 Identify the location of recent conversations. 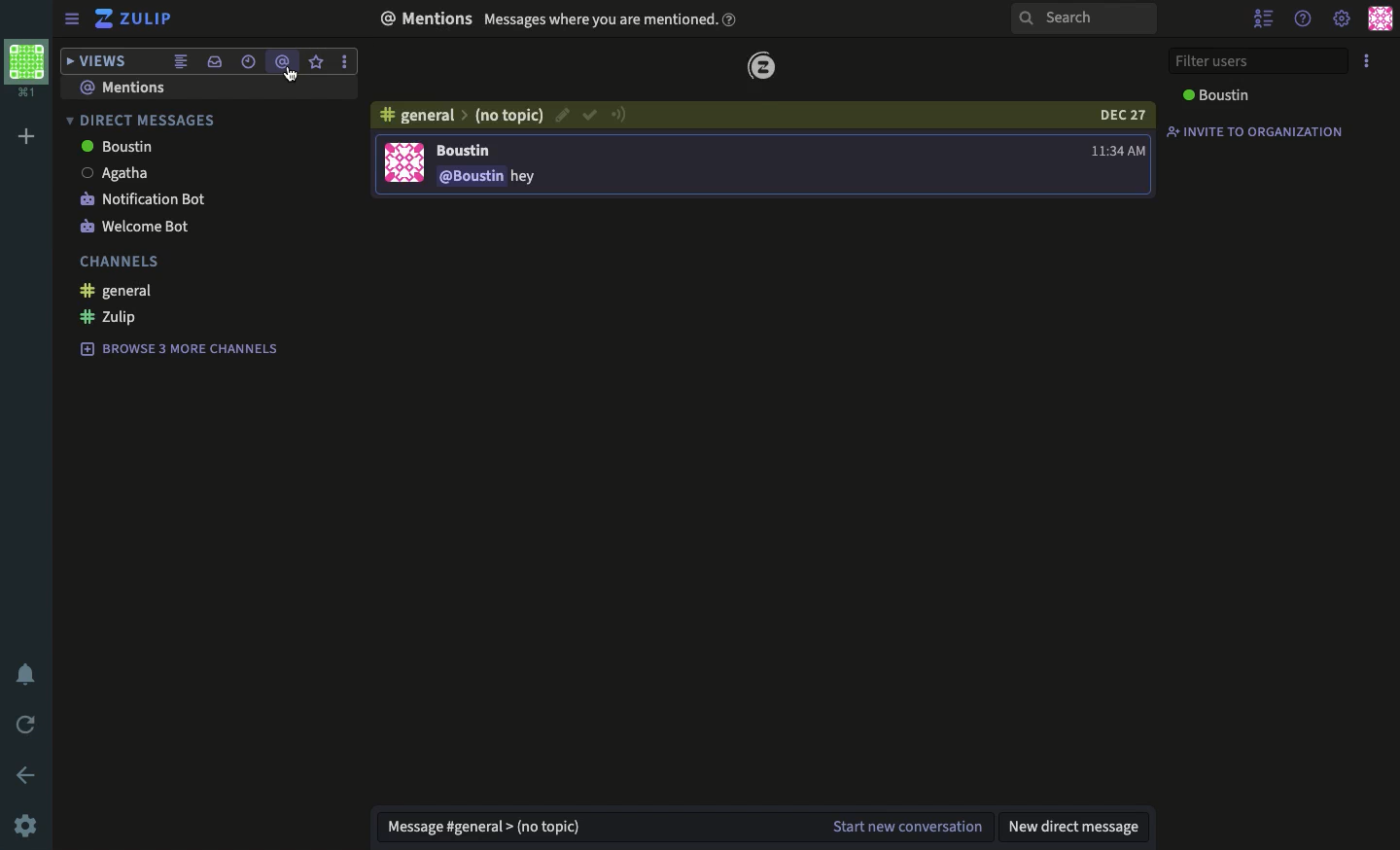
(249, 62).